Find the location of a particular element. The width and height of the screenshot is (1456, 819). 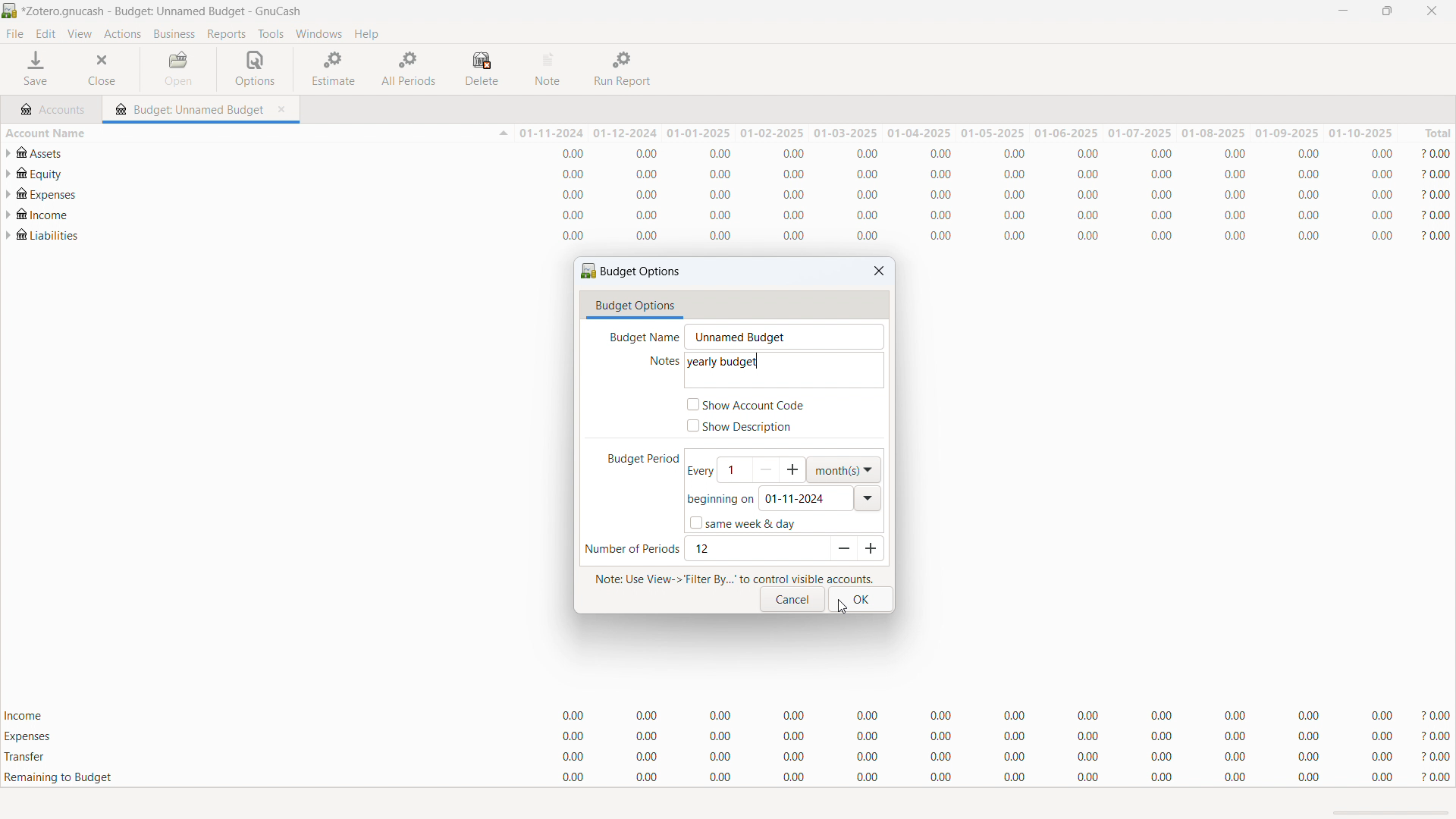

minimize is located at coordinates (1341, 11).